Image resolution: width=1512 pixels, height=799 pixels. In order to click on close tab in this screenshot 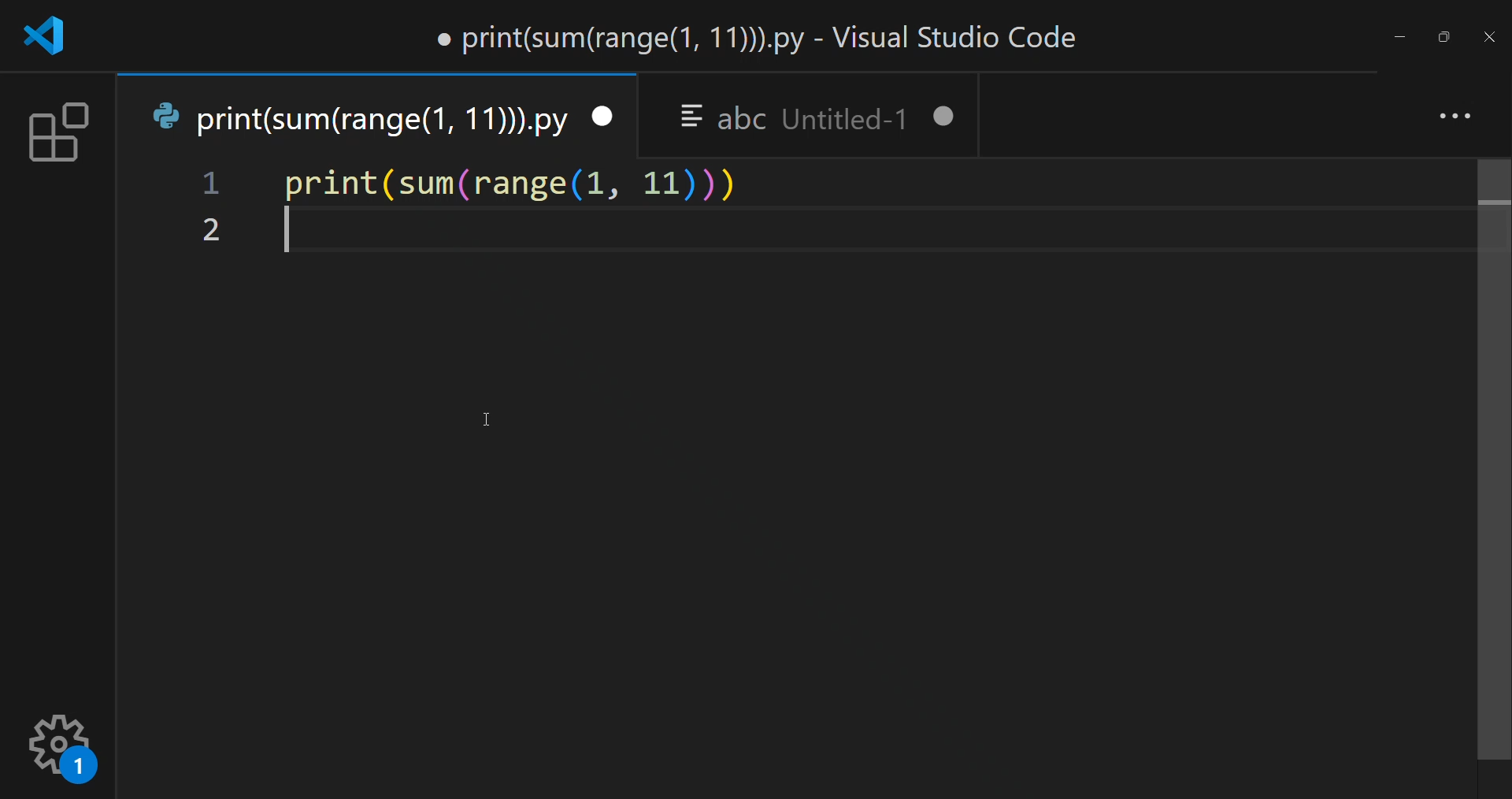, I will do `click(948, 119)`.